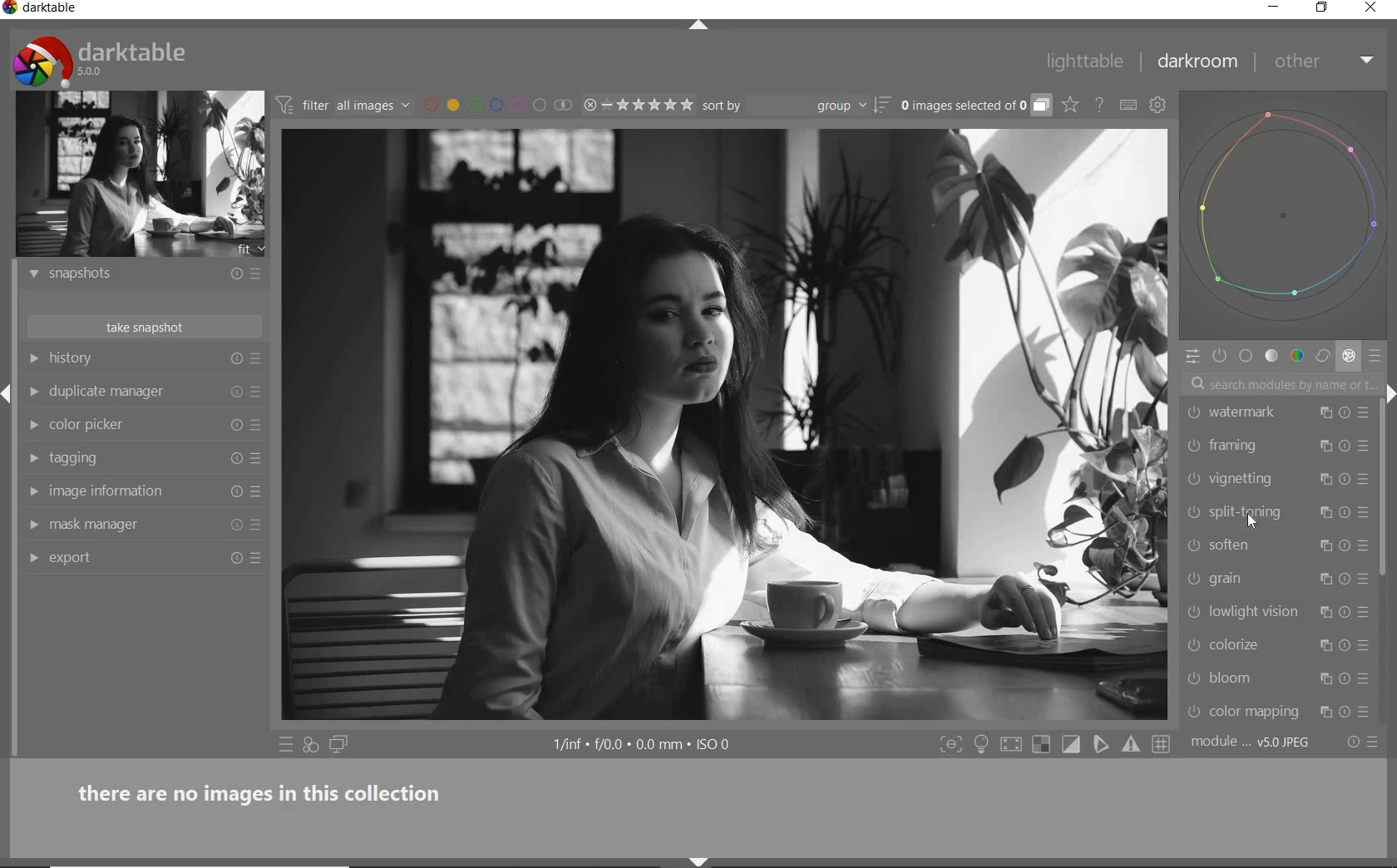 The width and height of the screenshot is (1397, 868). I want to click on filter by images color label, so click(497, 105).